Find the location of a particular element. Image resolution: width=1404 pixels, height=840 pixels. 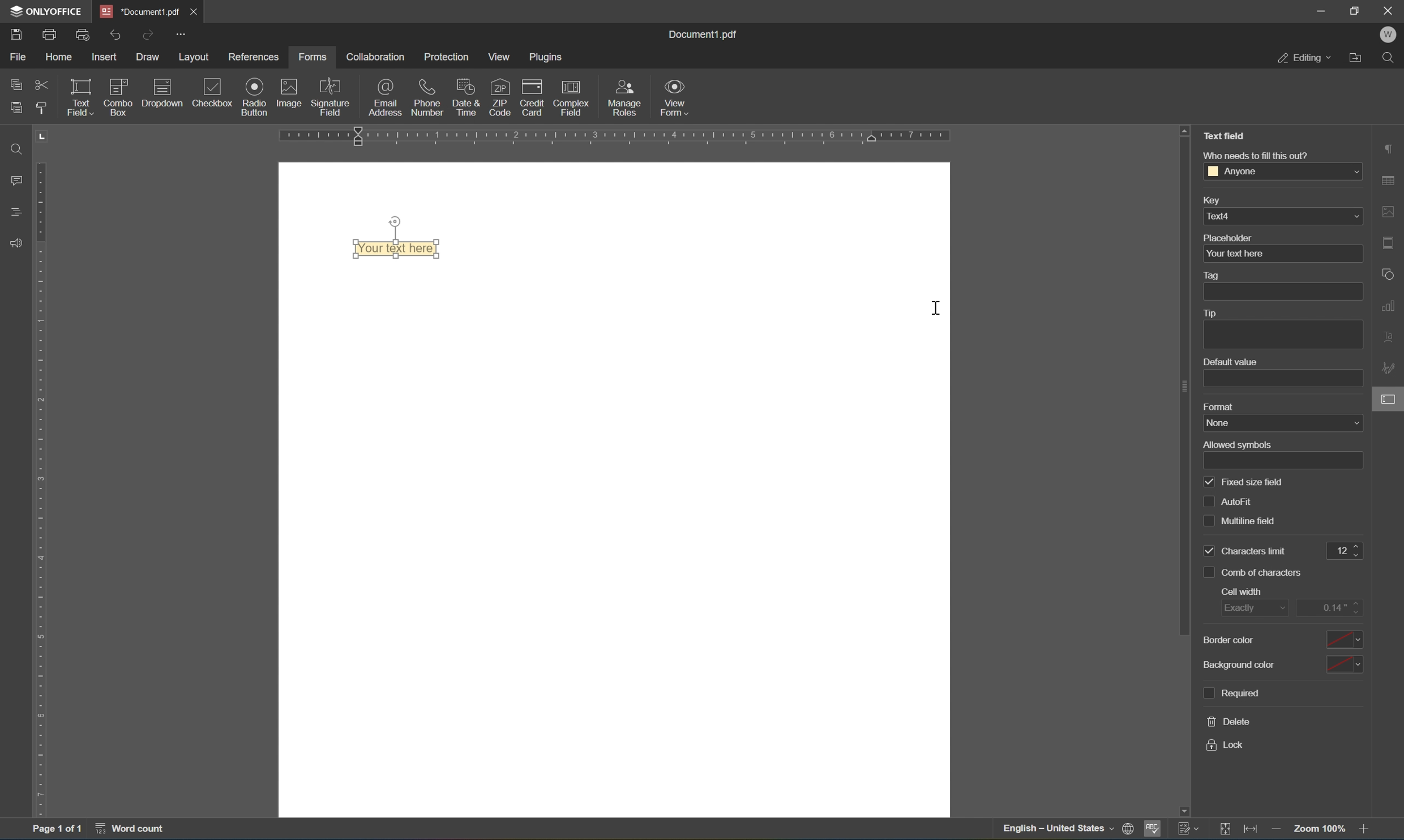

12 is located at coordinates (1342, 550).